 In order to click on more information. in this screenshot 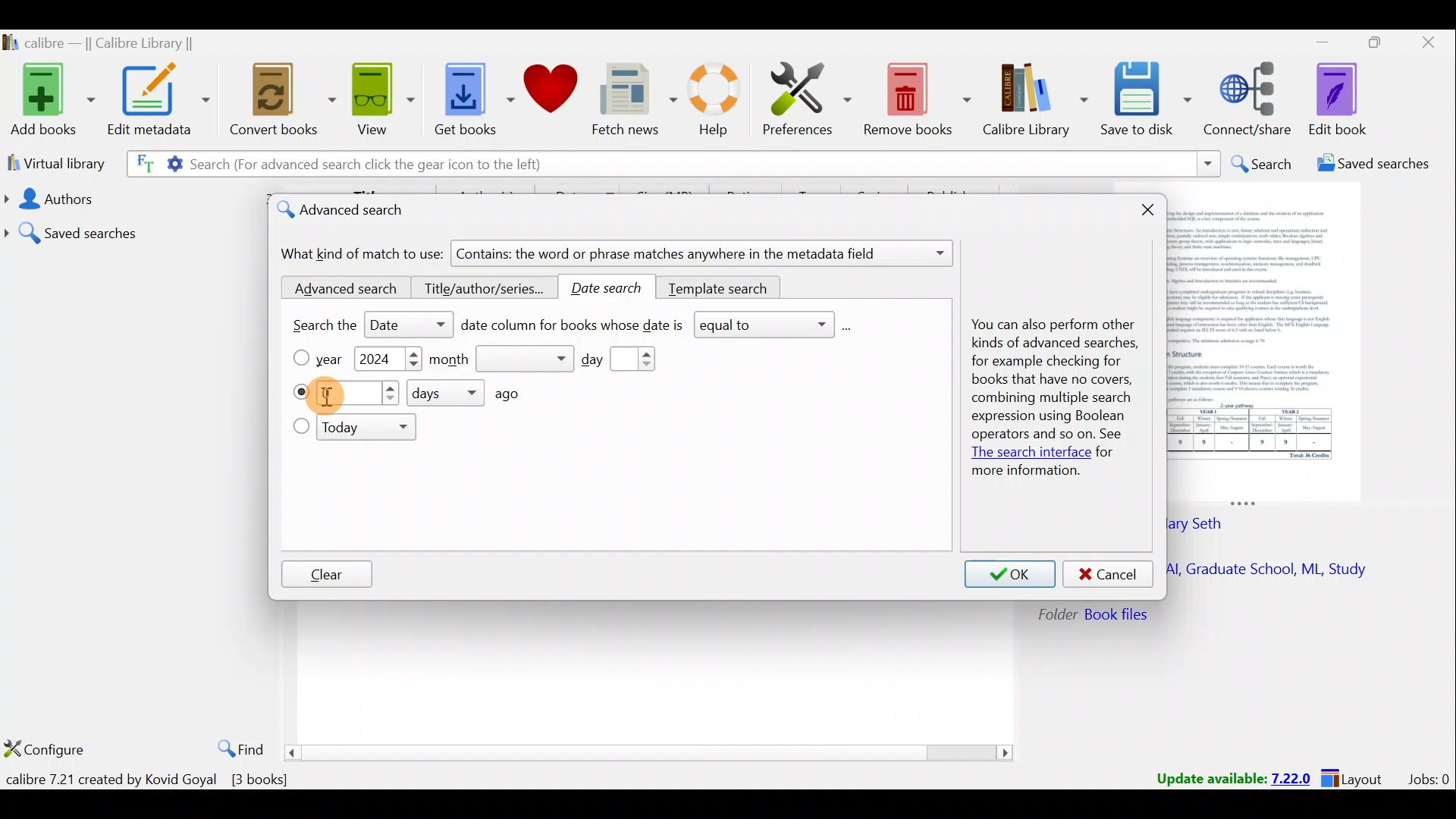, I will do `click(1025, 472)`.